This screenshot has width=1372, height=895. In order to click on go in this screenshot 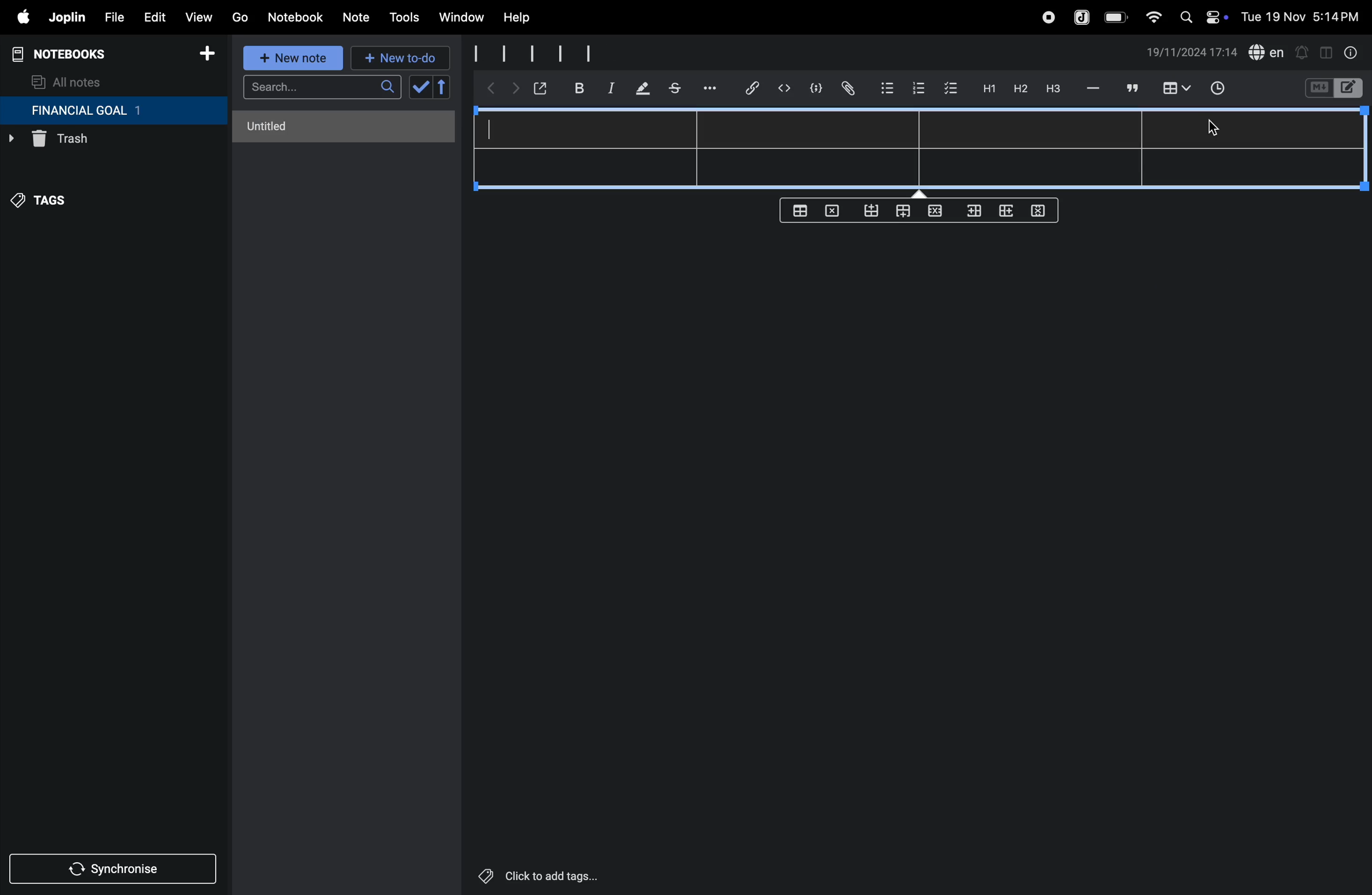, I will do `click(240, 16)`.